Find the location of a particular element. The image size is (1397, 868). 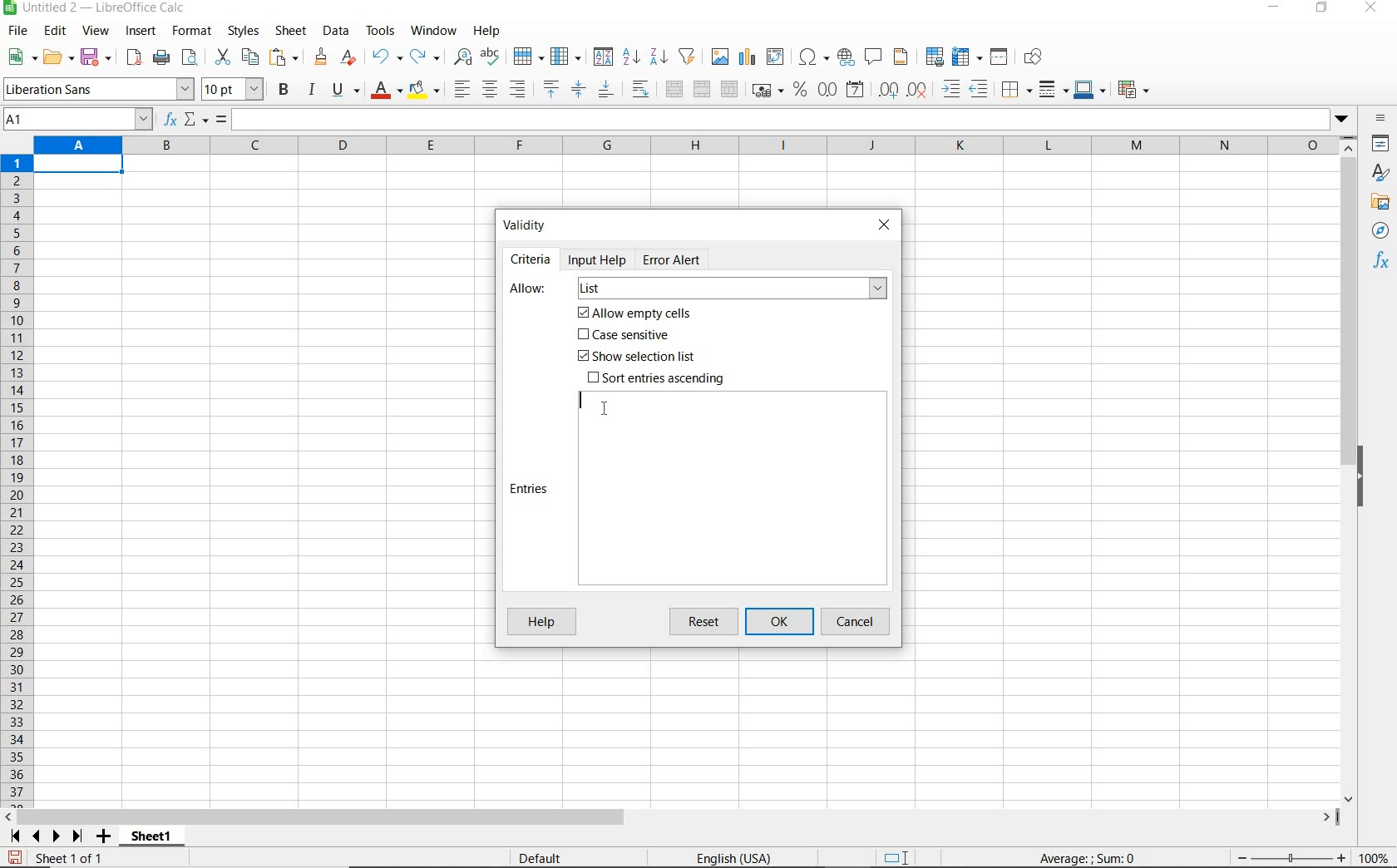

align bottom is located at coordinates (605, 91).